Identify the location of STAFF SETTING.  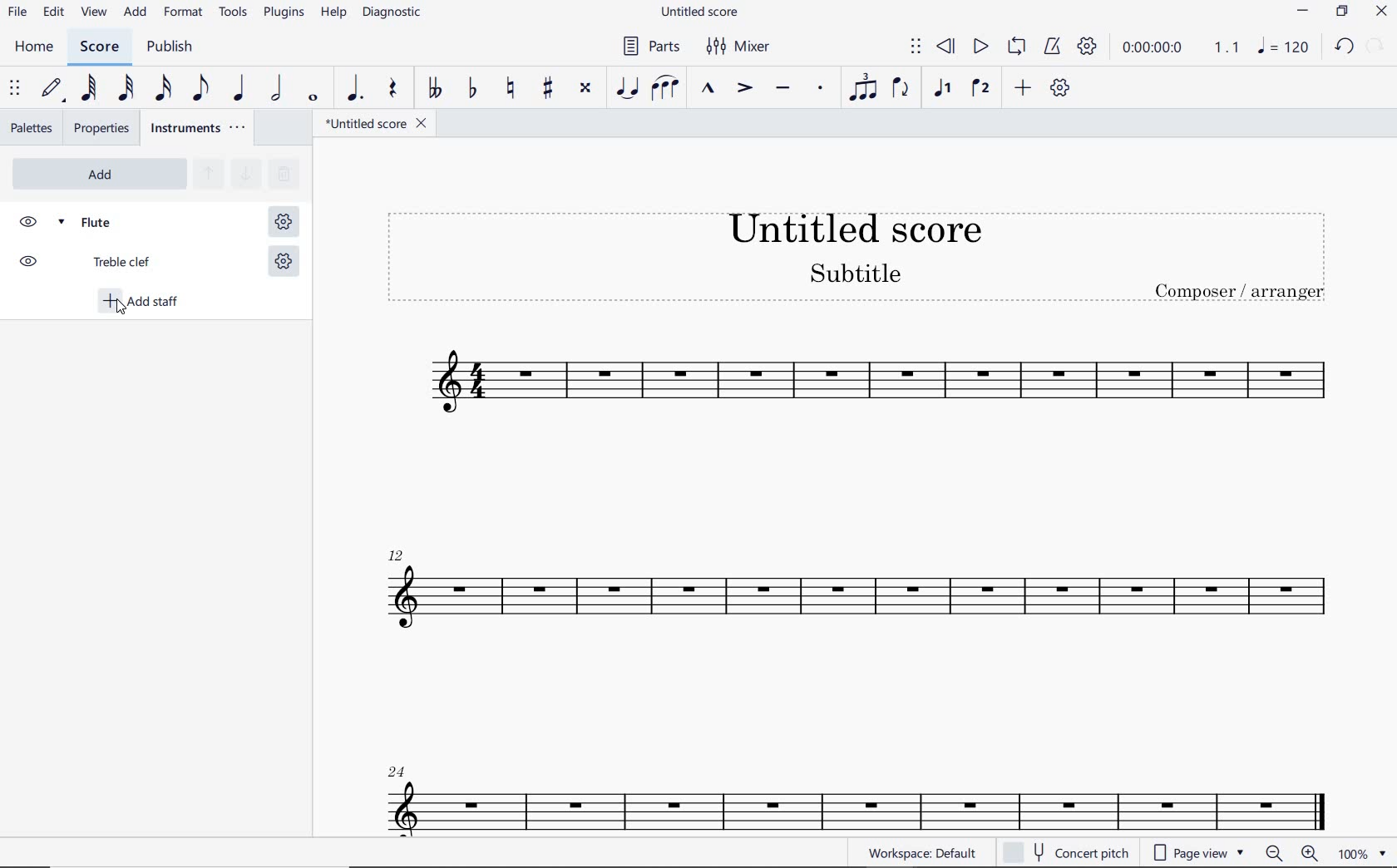
(283, 259).